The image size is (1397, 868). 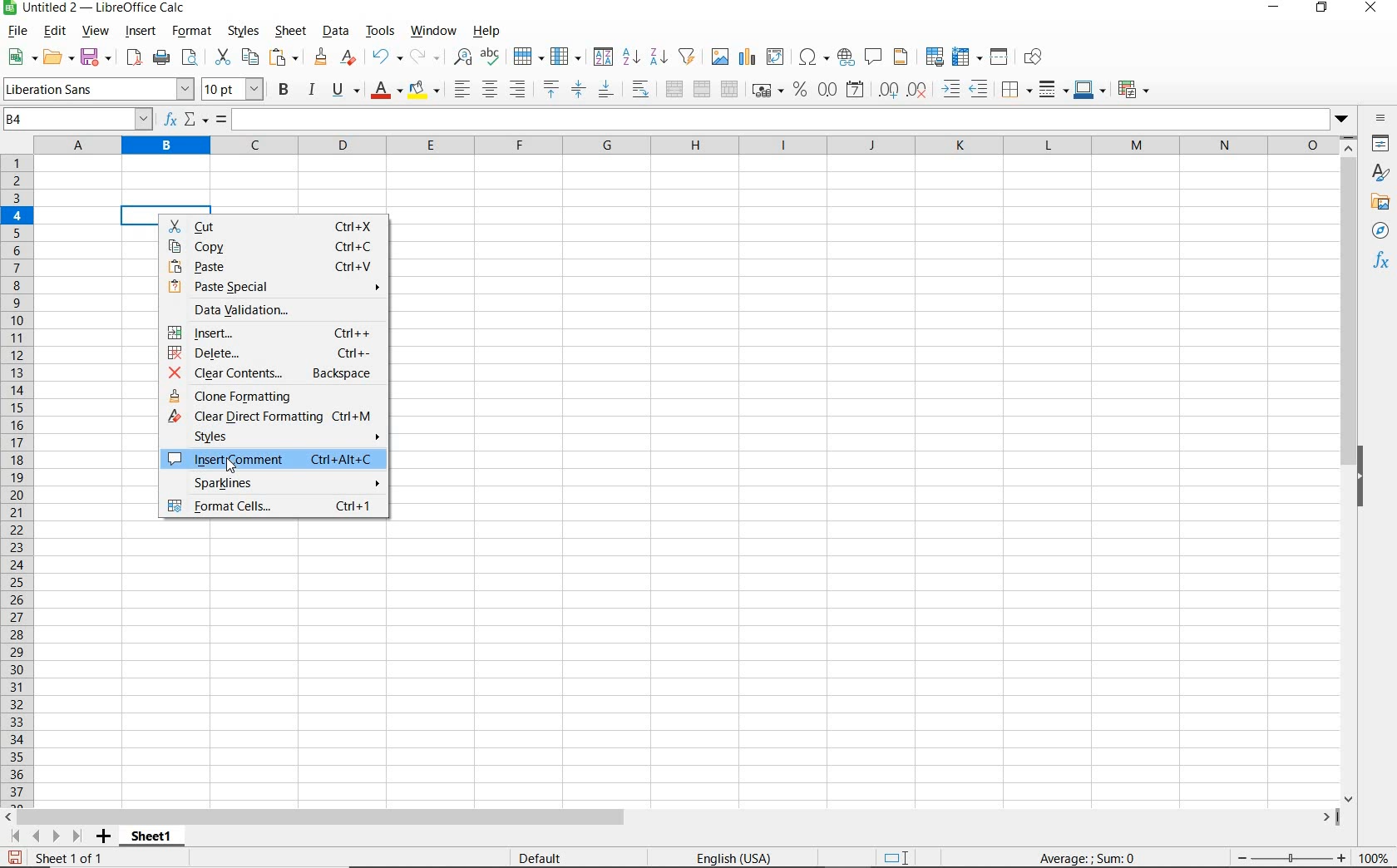 I want to click on center vertically, so click(x=579, y=91).